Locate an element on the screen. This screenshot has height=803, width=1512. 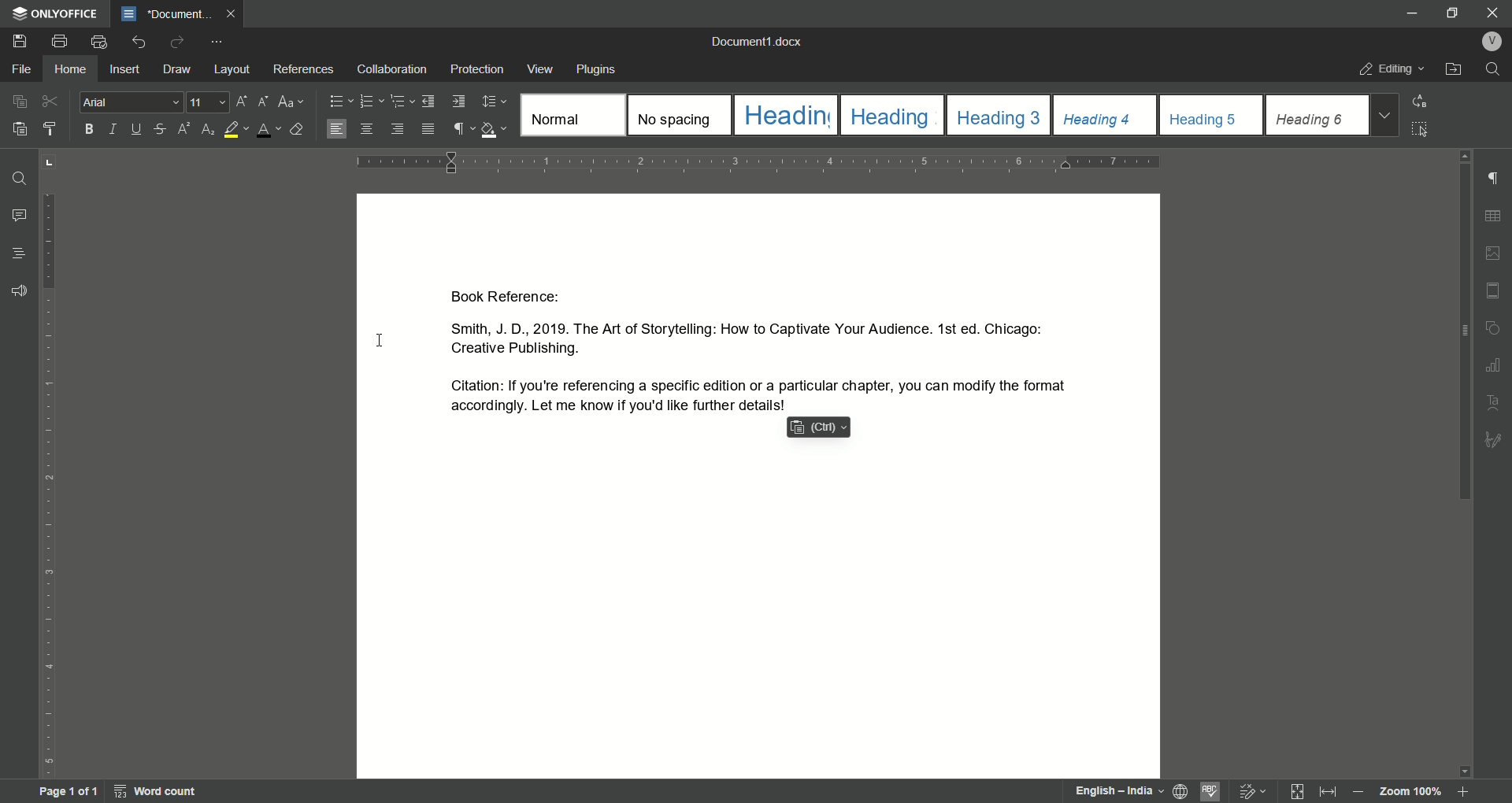
comment is located at coordinates (20, 216).